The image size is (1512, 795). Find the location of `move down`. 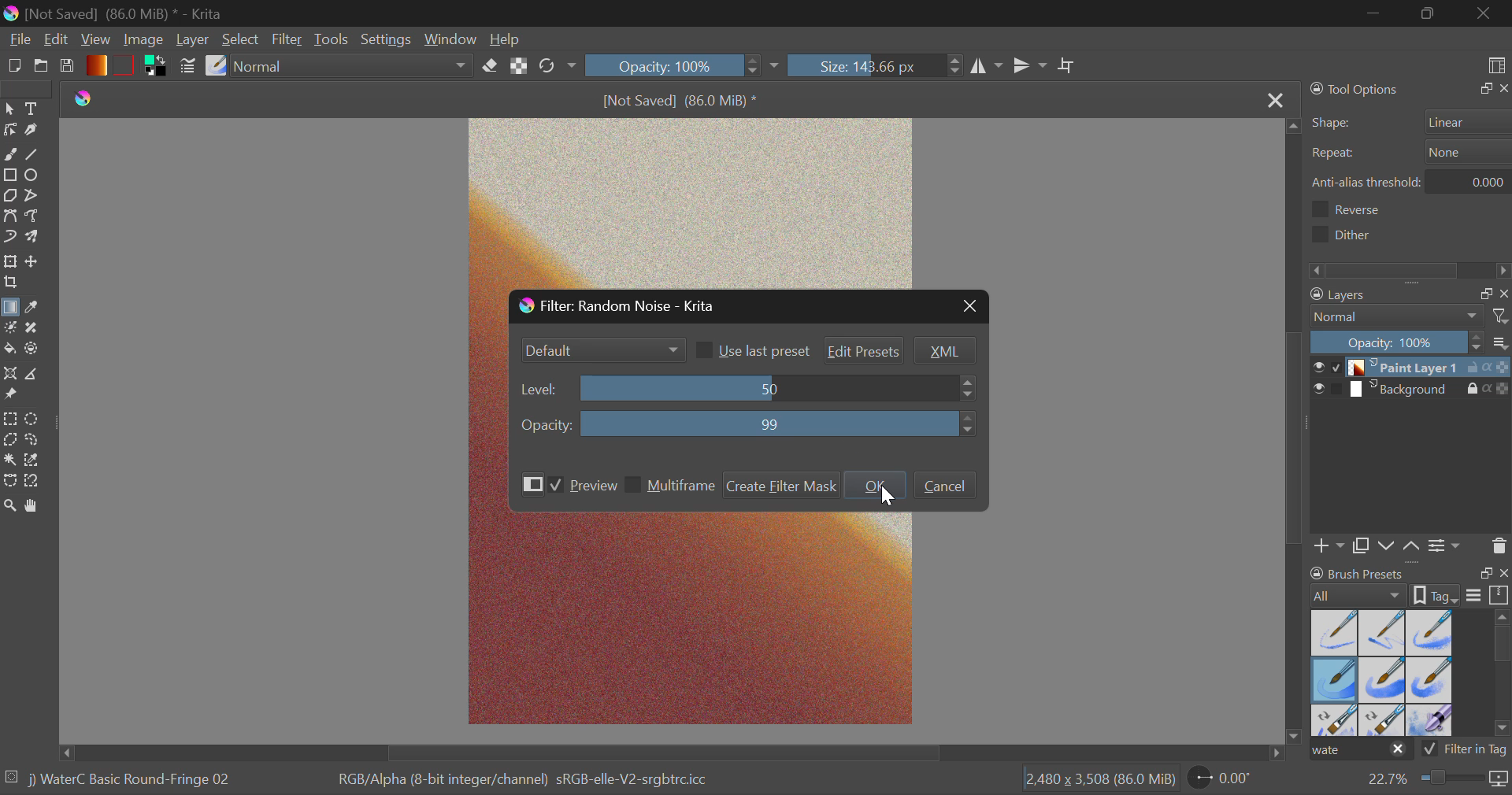

move down is located at coordinates (1387, 545).